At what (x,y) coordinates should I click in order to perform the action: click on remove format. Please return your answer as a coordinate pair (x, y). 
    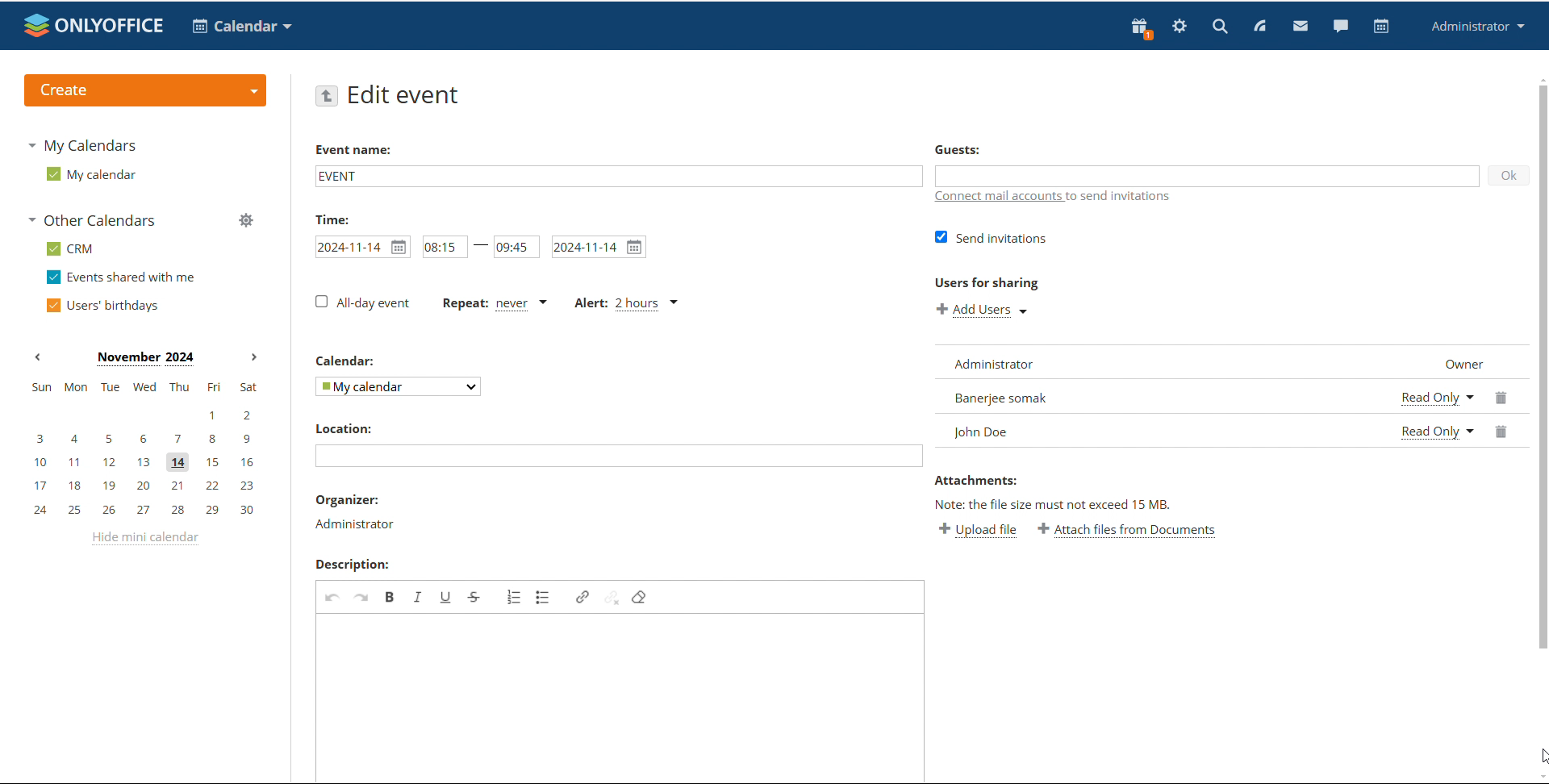
    Looking at the image, I should click on (639, 598).